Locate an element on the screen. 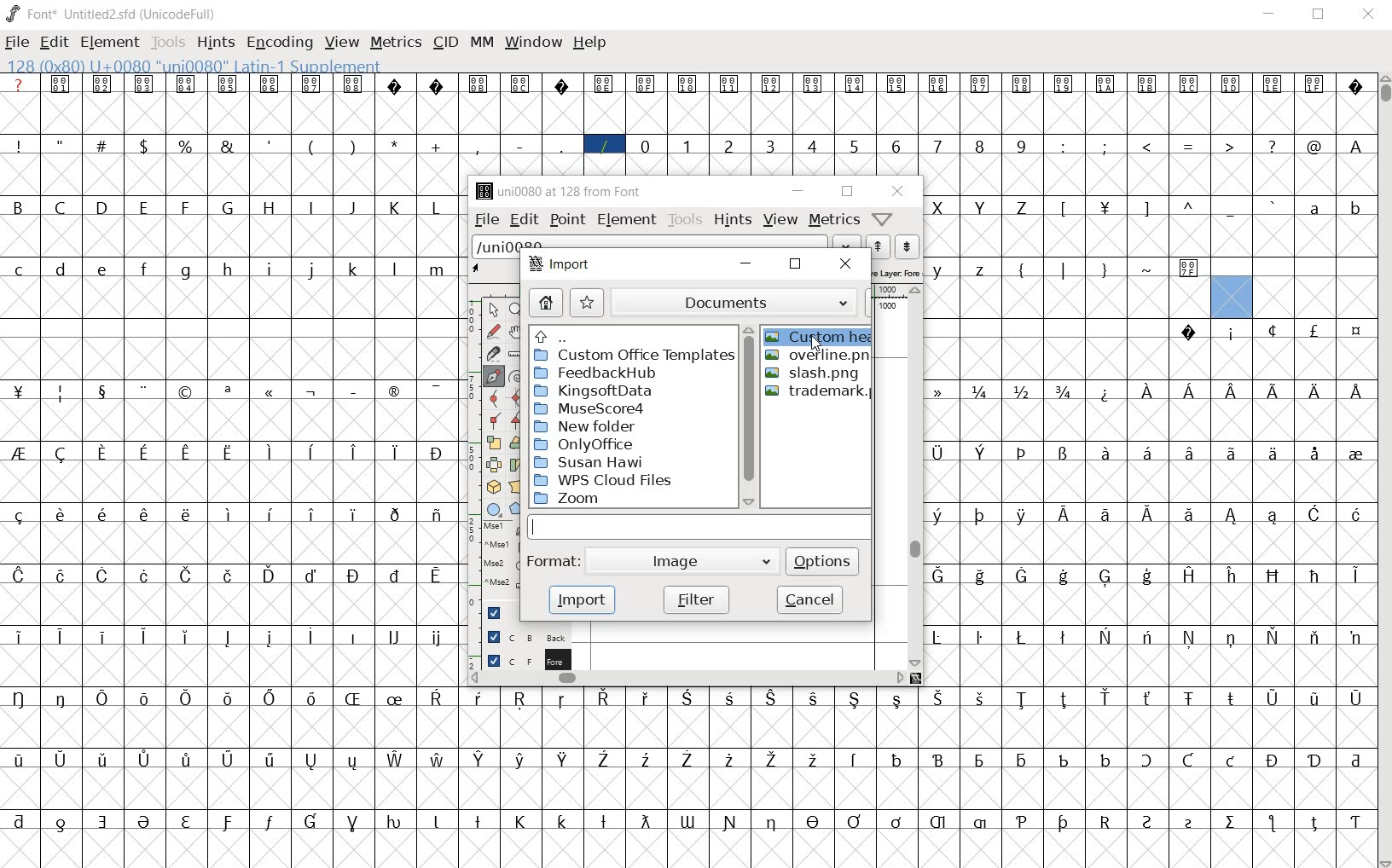 Image resolution: width=1392 pixels, height=868 pixels. glyph is located at coordinates (1232, 453).